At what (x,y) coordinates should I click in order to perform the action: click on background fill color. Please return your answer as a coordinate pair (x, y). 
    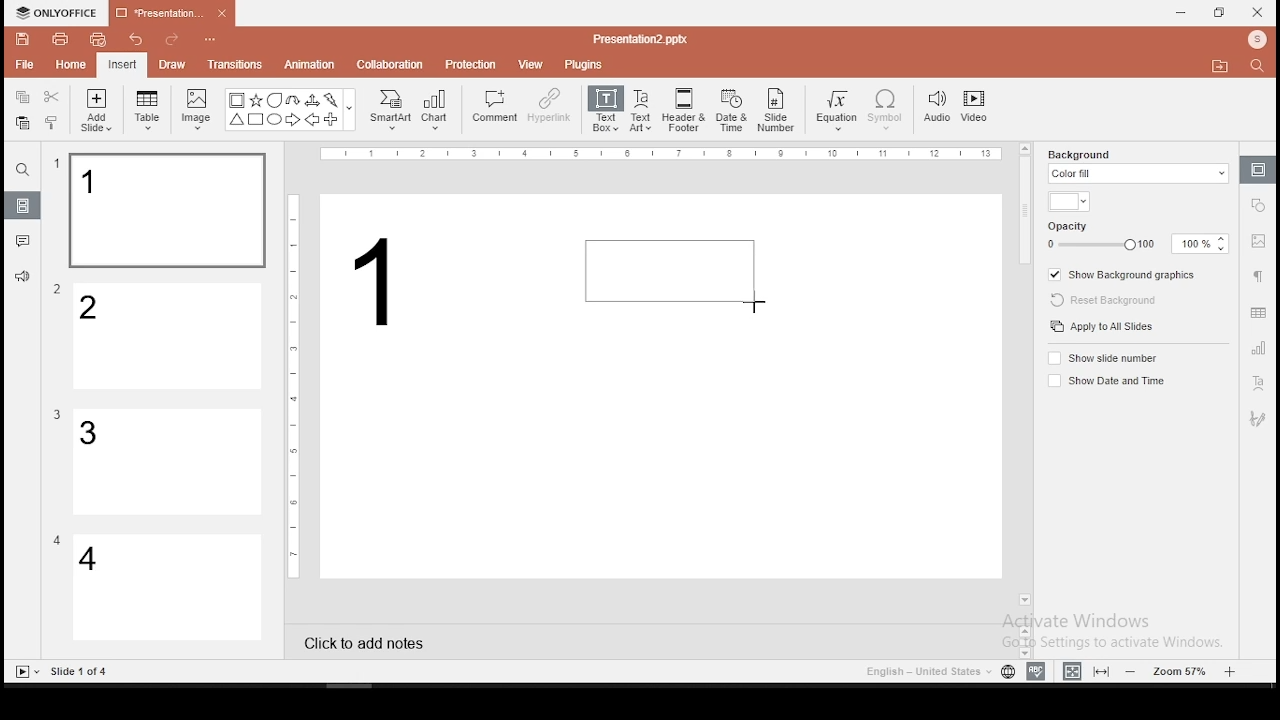
    Looking at the image, I should click on (1070, 203).